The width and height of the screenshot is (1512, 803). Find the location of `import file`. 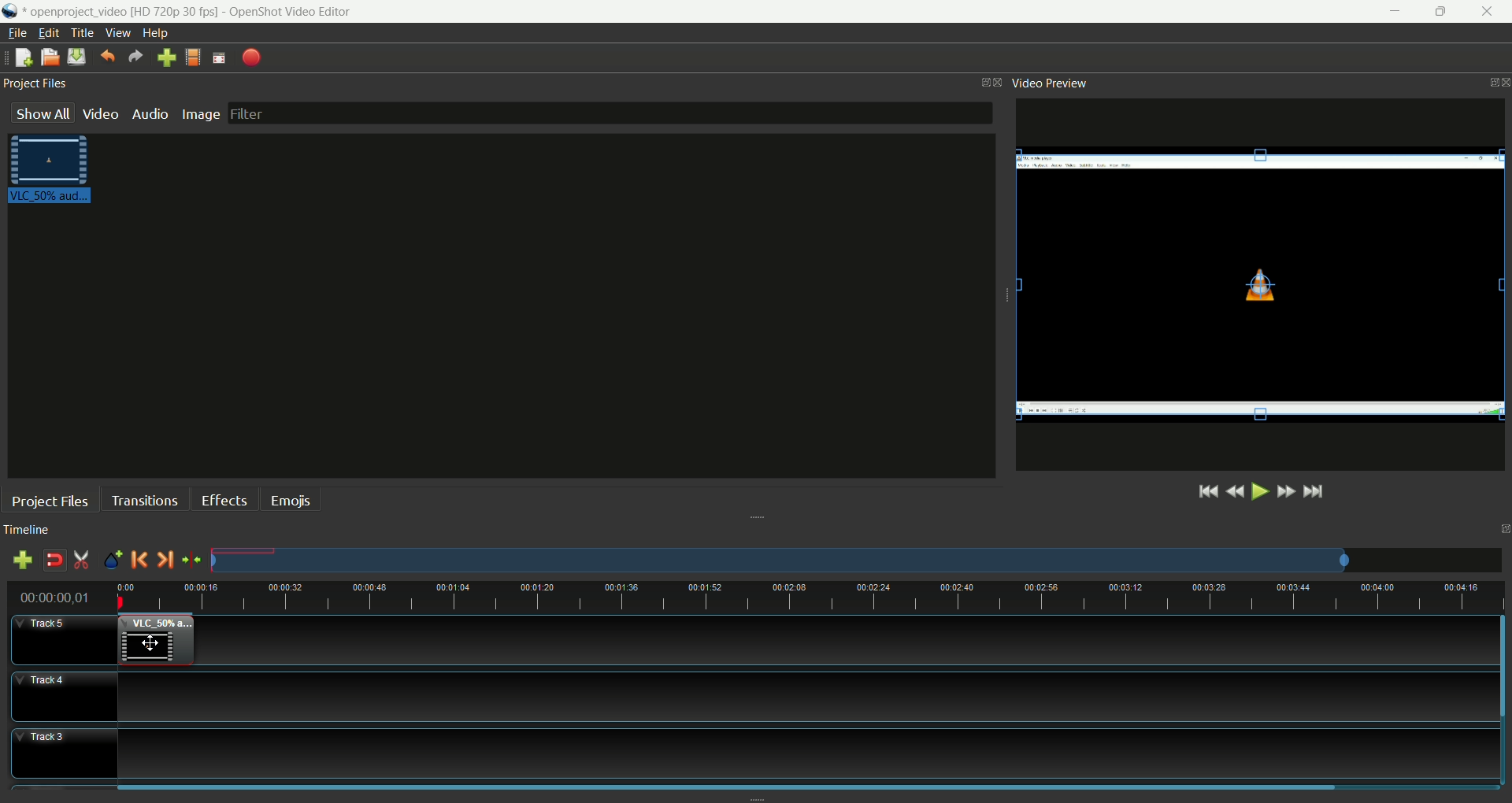

import file is located at coordinates (166, 58).